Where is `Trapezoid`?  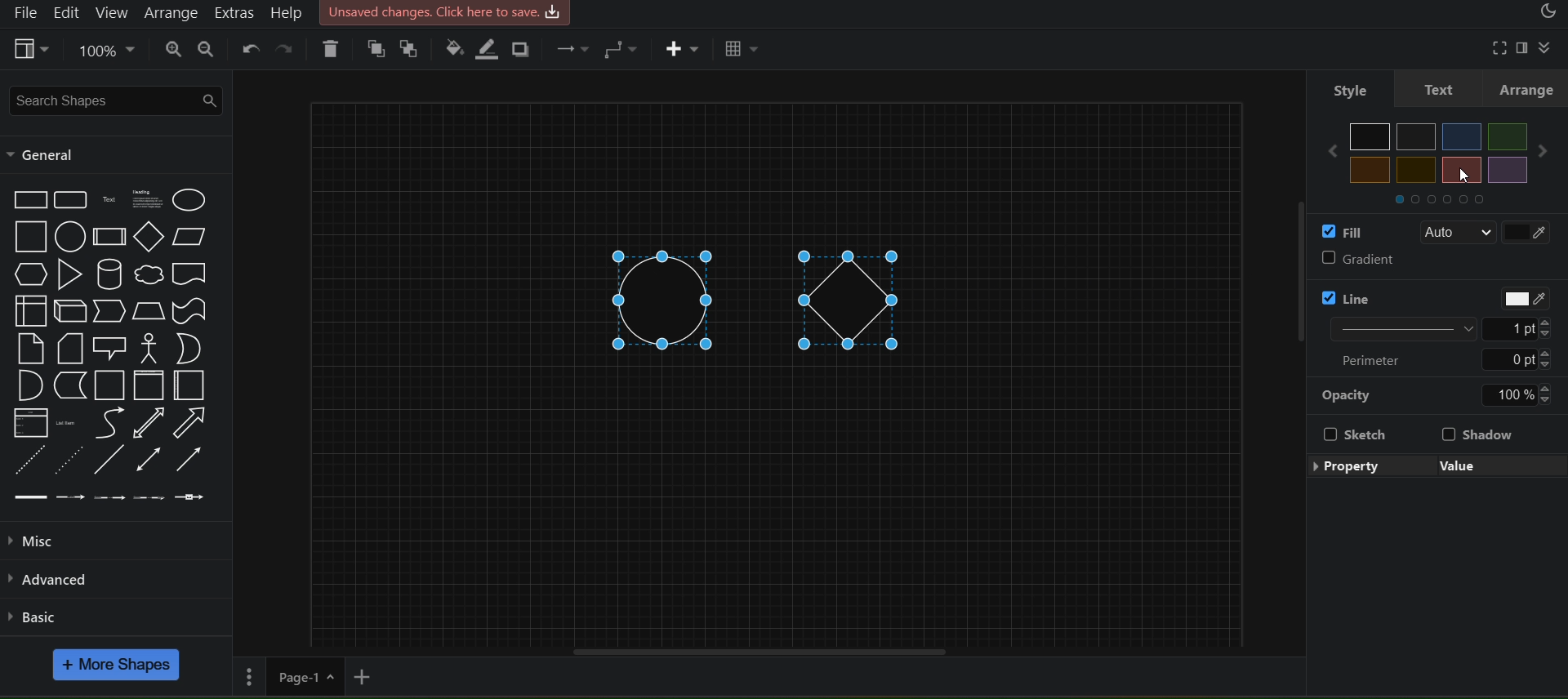 Trapezoid is located at coordinates (148, 311).